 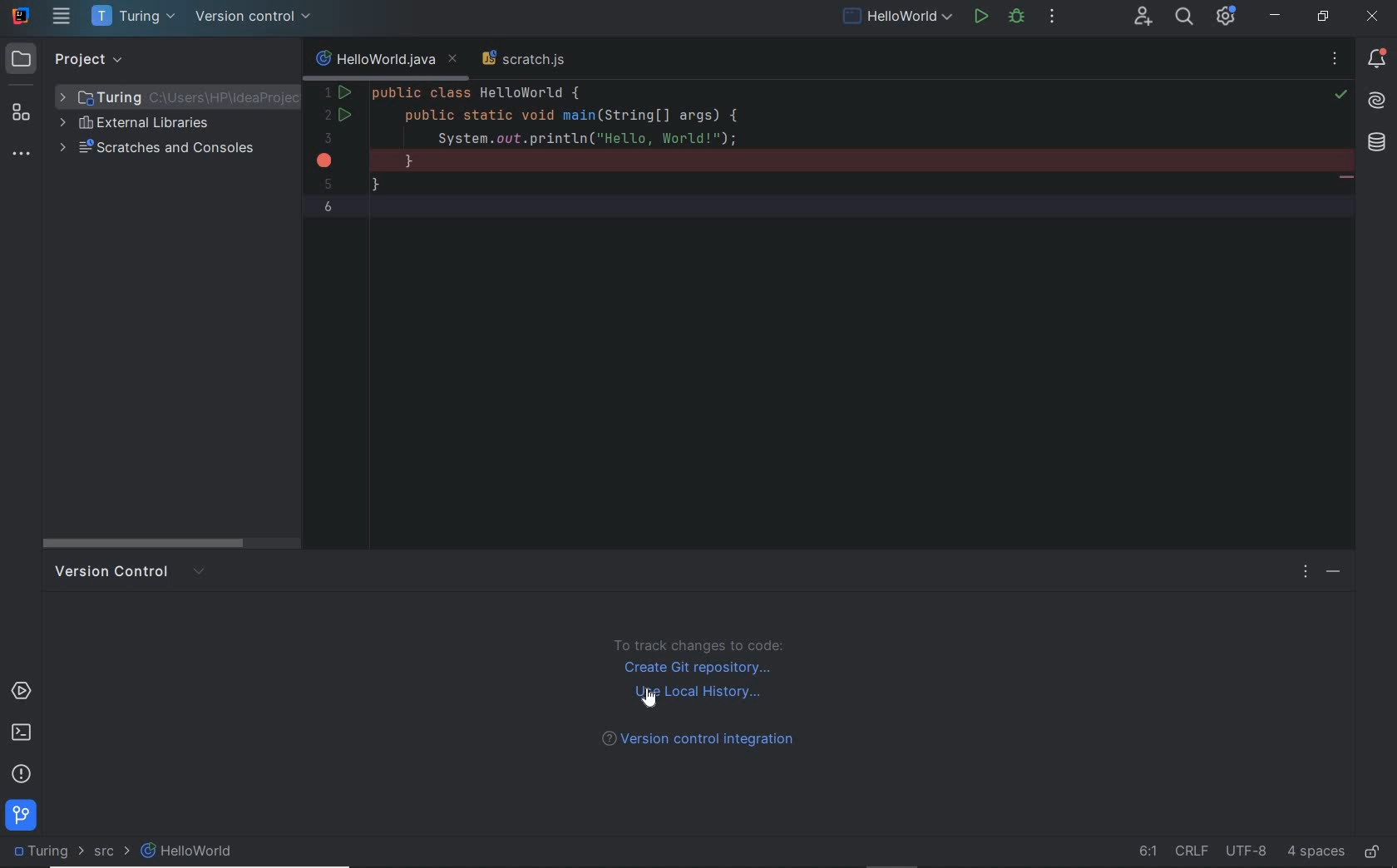 What do you see at coordinates (327, 185) in the screenshot?
I see `5` at bounding box center [327, 185].